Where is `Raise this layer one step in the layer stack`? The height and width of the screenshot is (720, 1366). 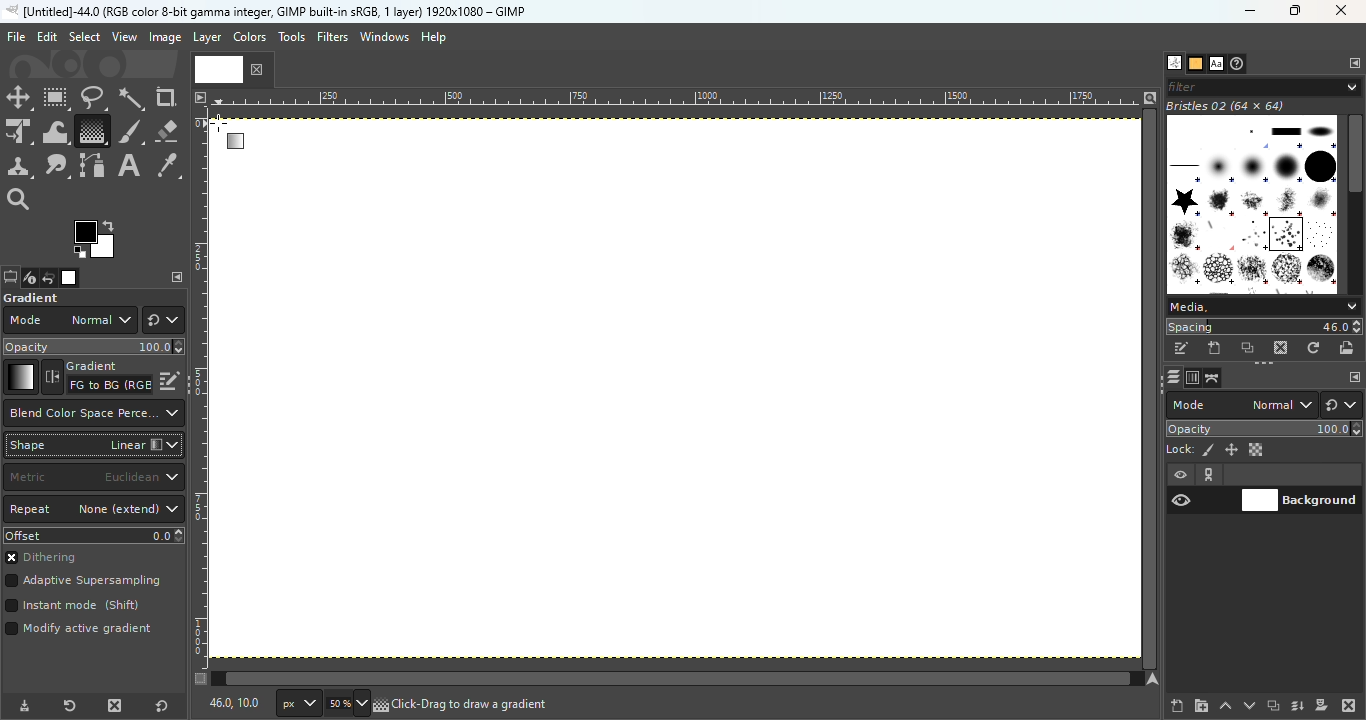 Raise this layer one step in the layer stack is located at coordinates (1226, 706).